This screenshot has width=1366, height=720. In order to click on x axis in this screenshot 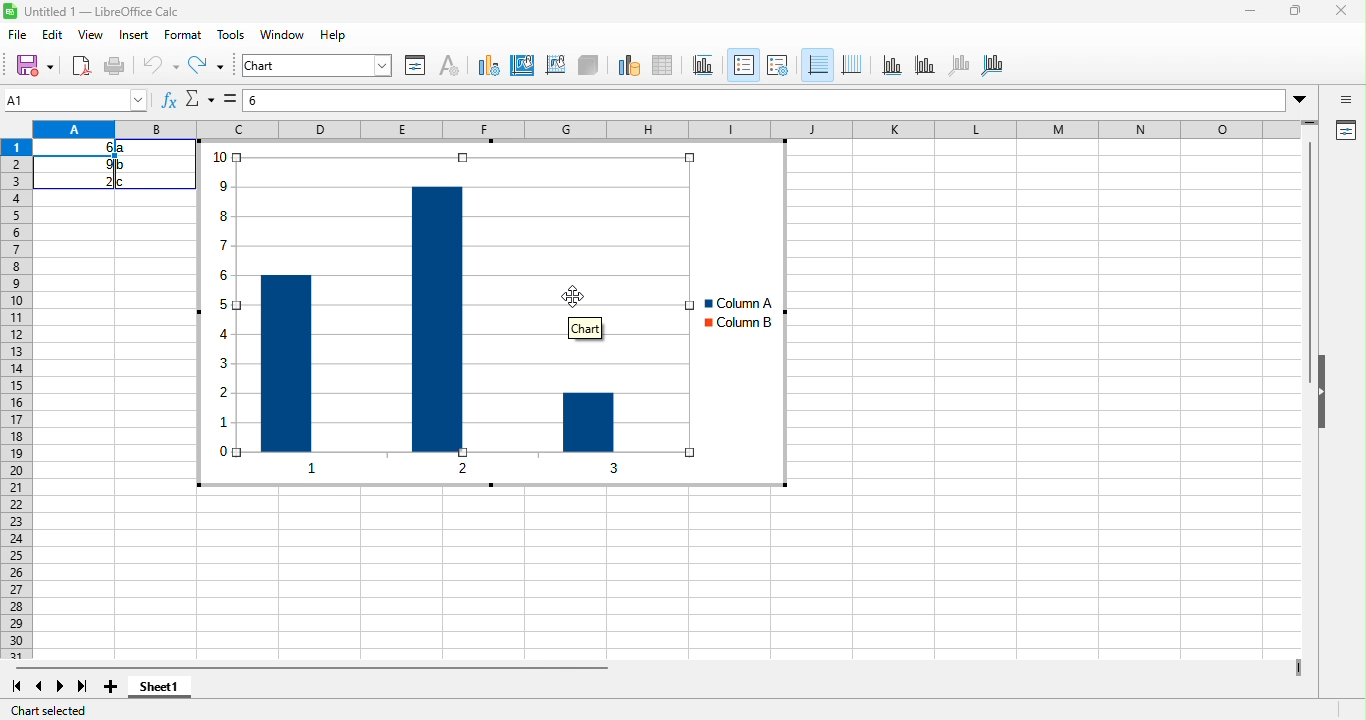, I will do `click(514, 470)`.